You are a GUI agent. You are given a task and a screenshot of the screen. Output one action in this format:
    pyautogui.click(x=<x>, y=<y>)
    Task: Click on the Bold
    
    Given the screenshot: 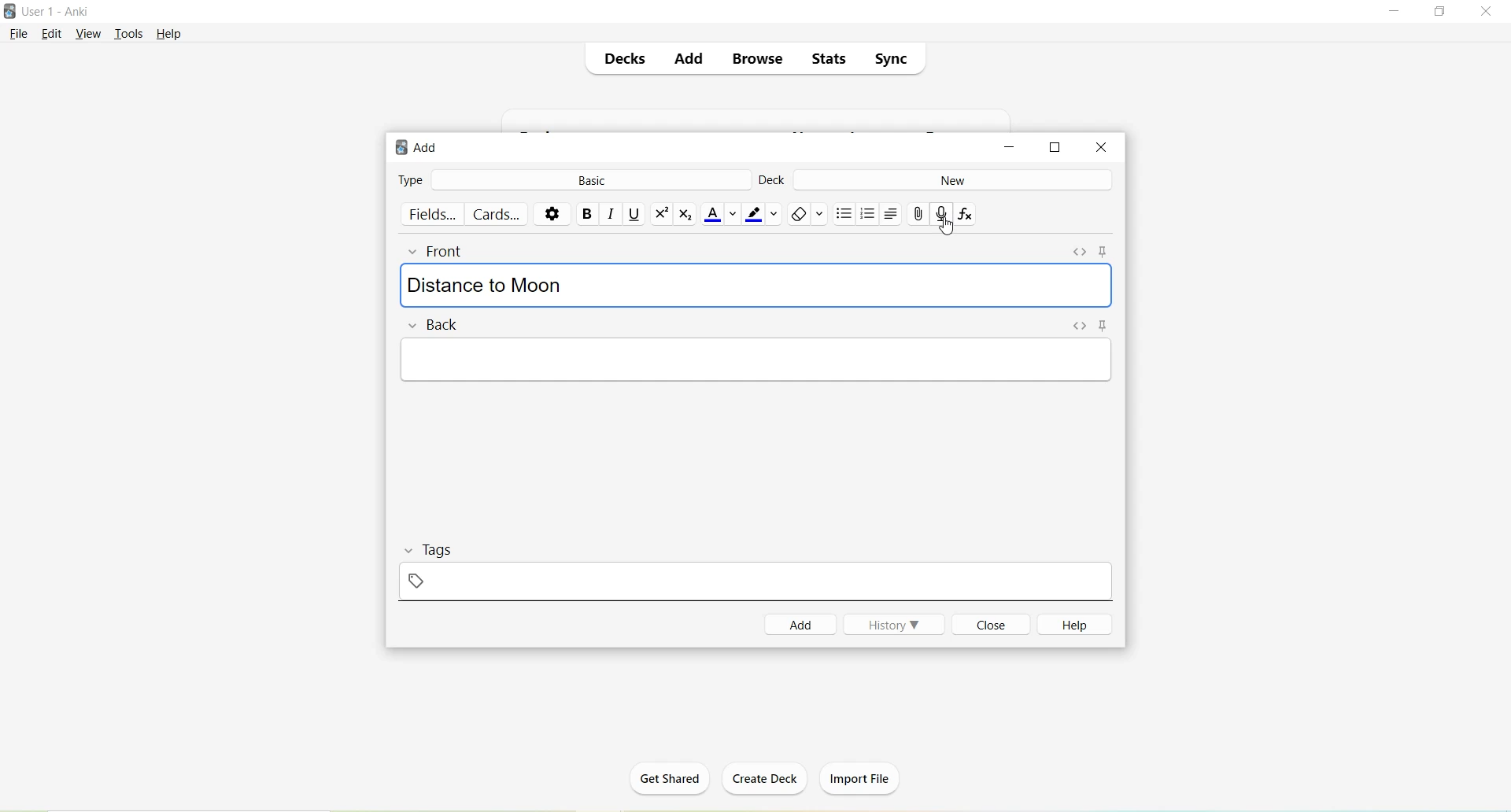 What is the action you would take?
    pyautogui.click(x=587, y=213)
    